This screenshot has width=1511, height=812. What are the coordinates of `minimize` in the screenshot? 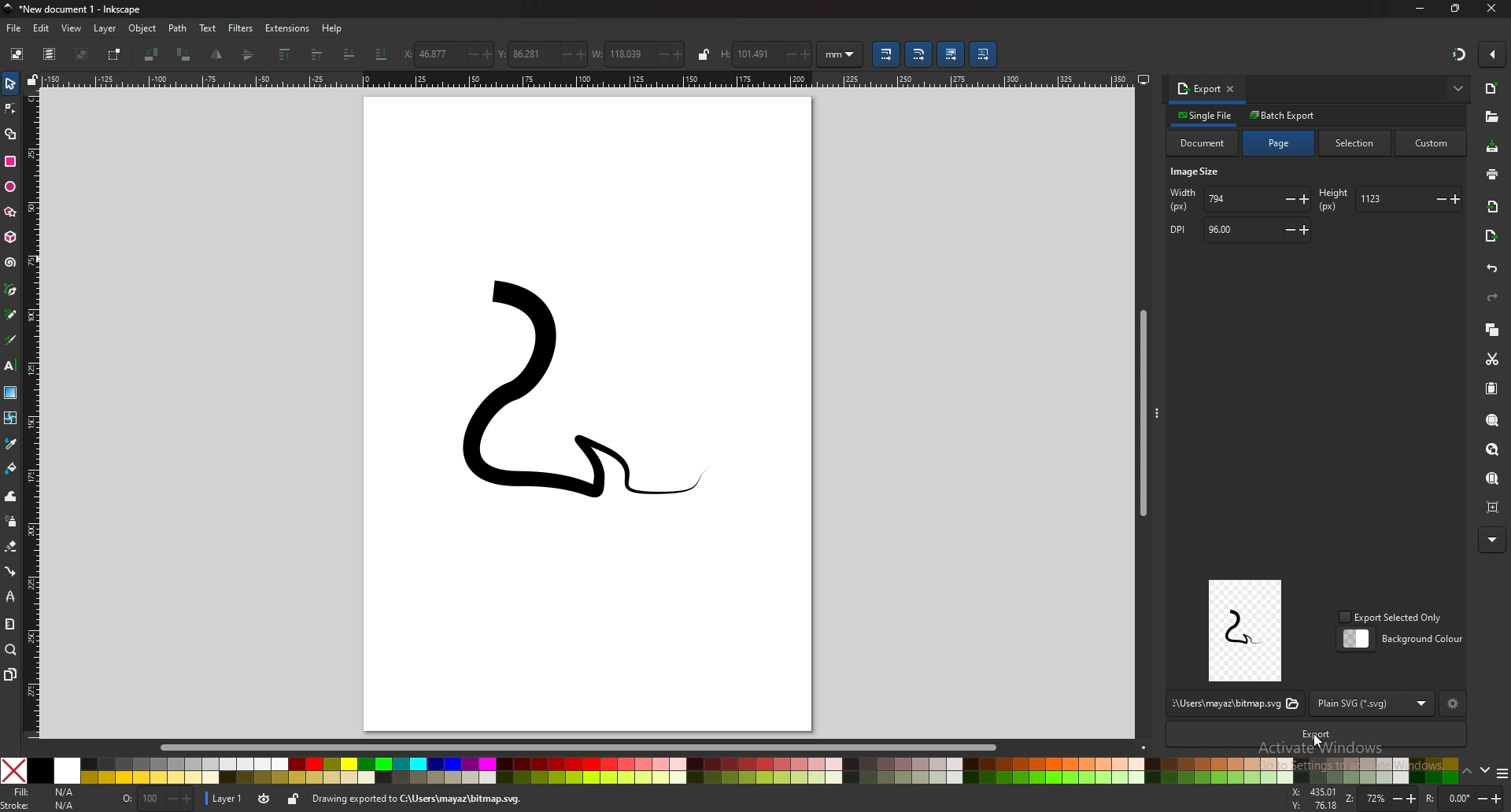 It's located at (1418, 9).